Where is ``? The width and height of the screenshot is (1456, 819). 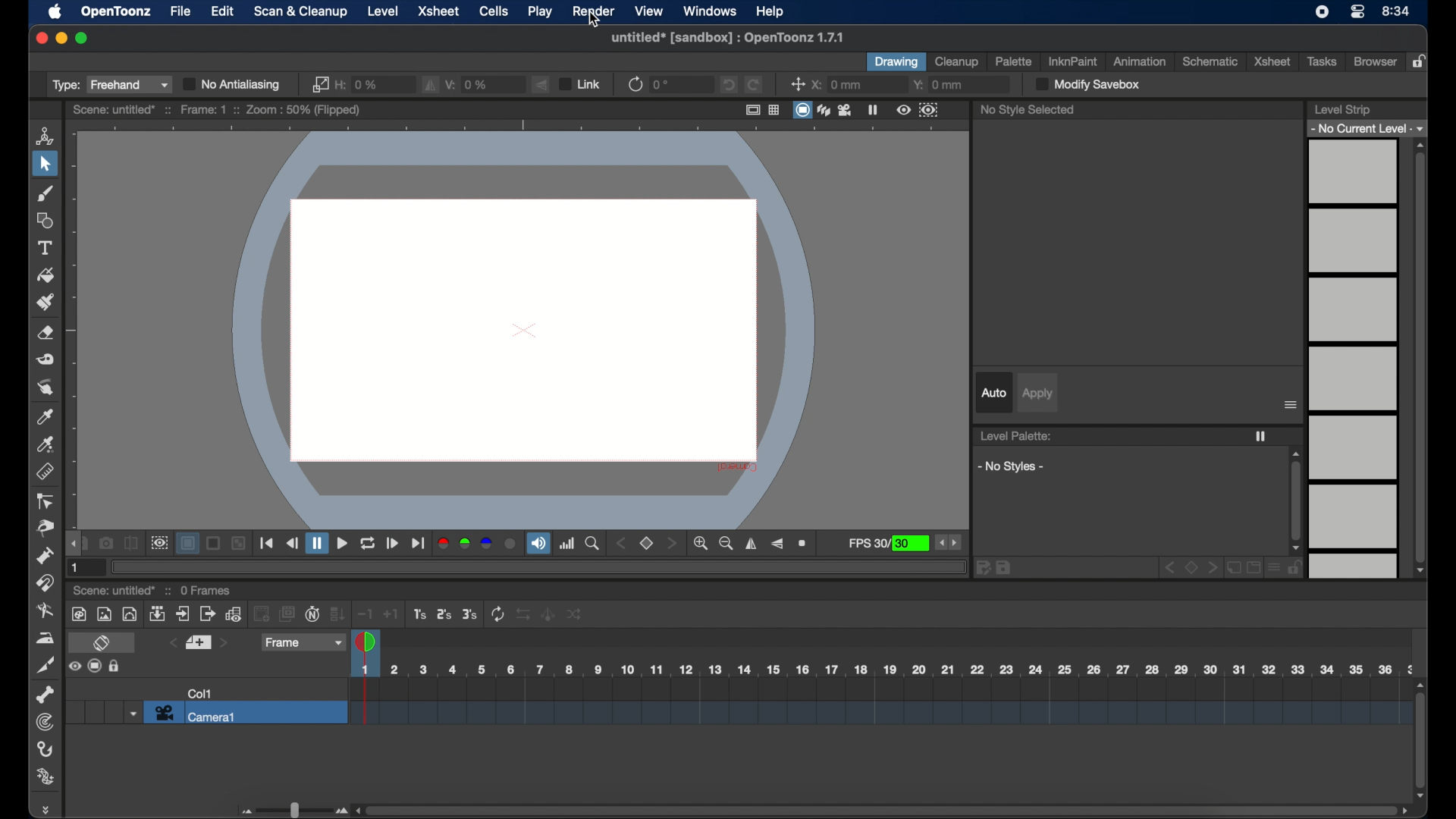  is located at coordinates (313, 614).